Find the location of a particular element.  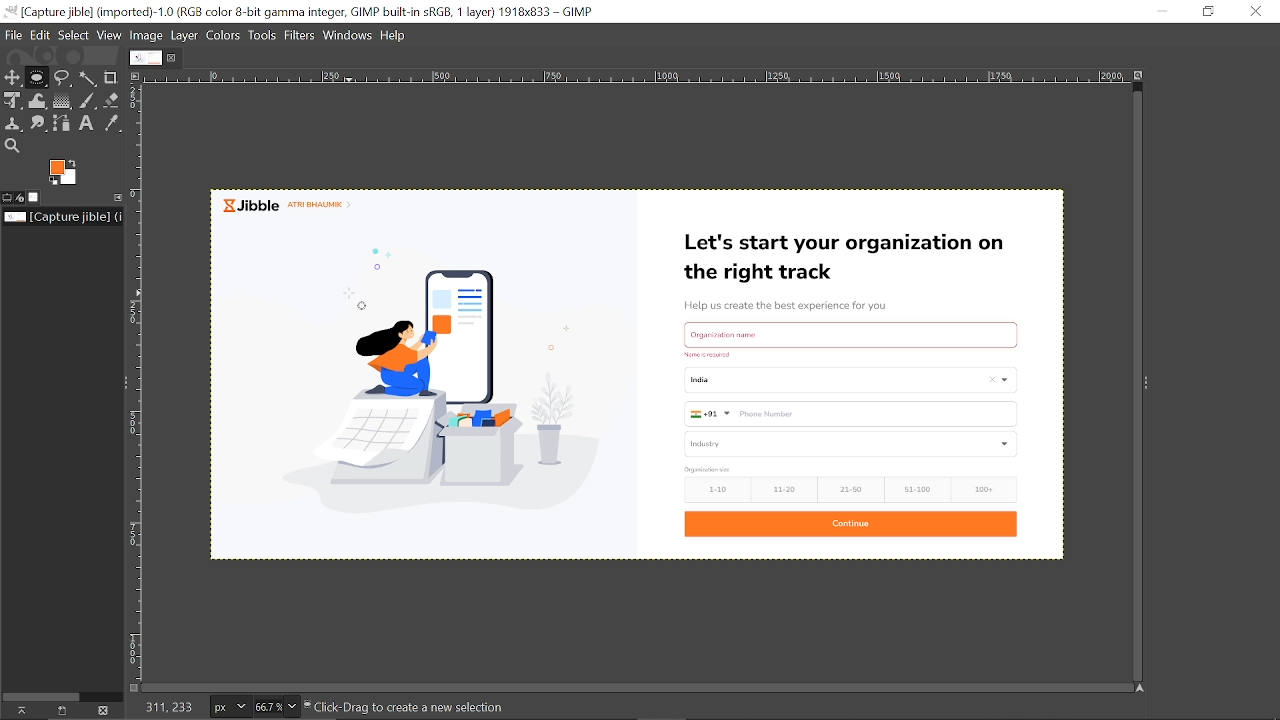

Tool options is located at coordinates (7, 198).